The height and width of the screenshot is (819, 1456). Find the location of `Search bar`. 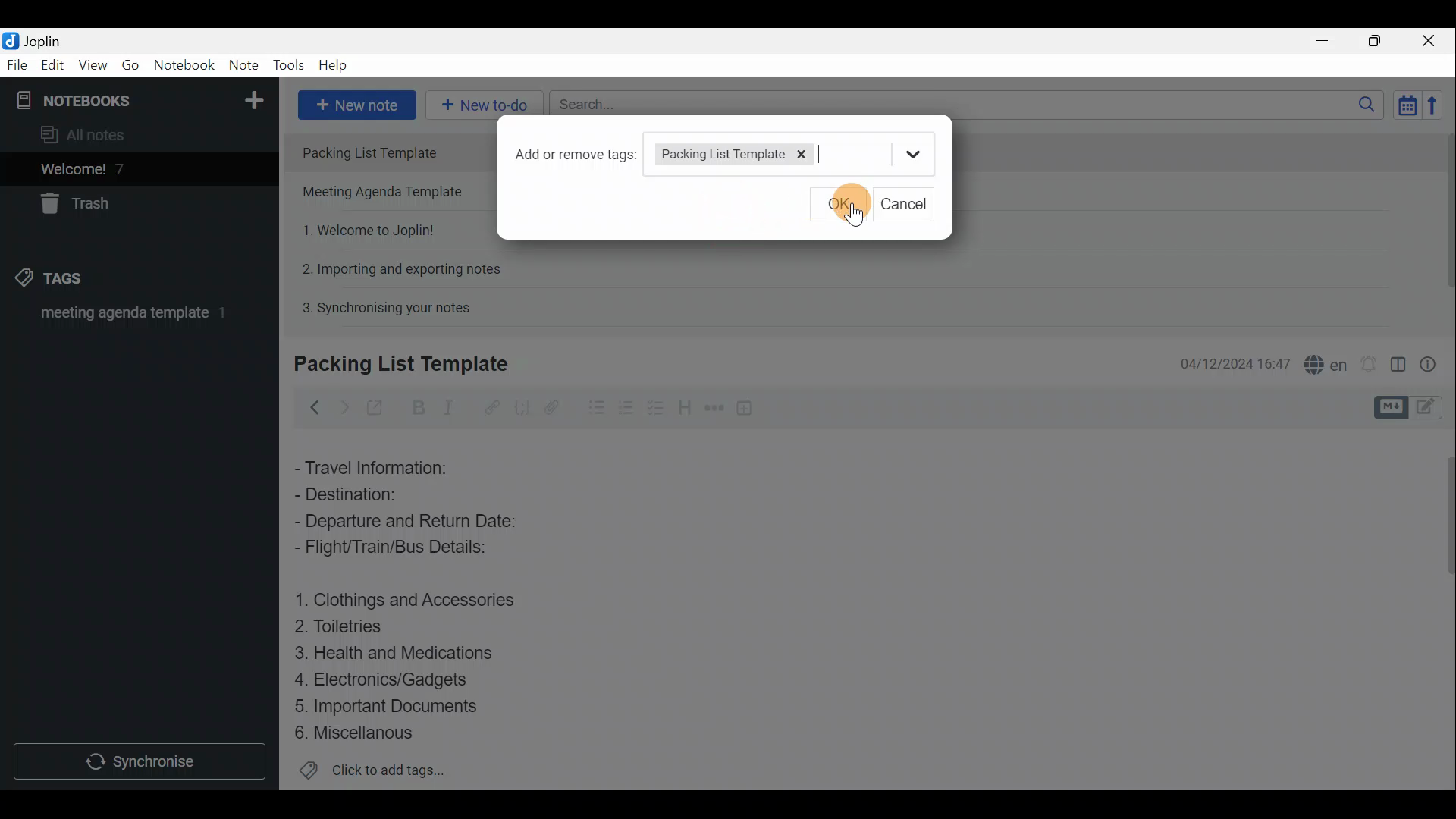

Search bar is located at coordinates (962, 106).